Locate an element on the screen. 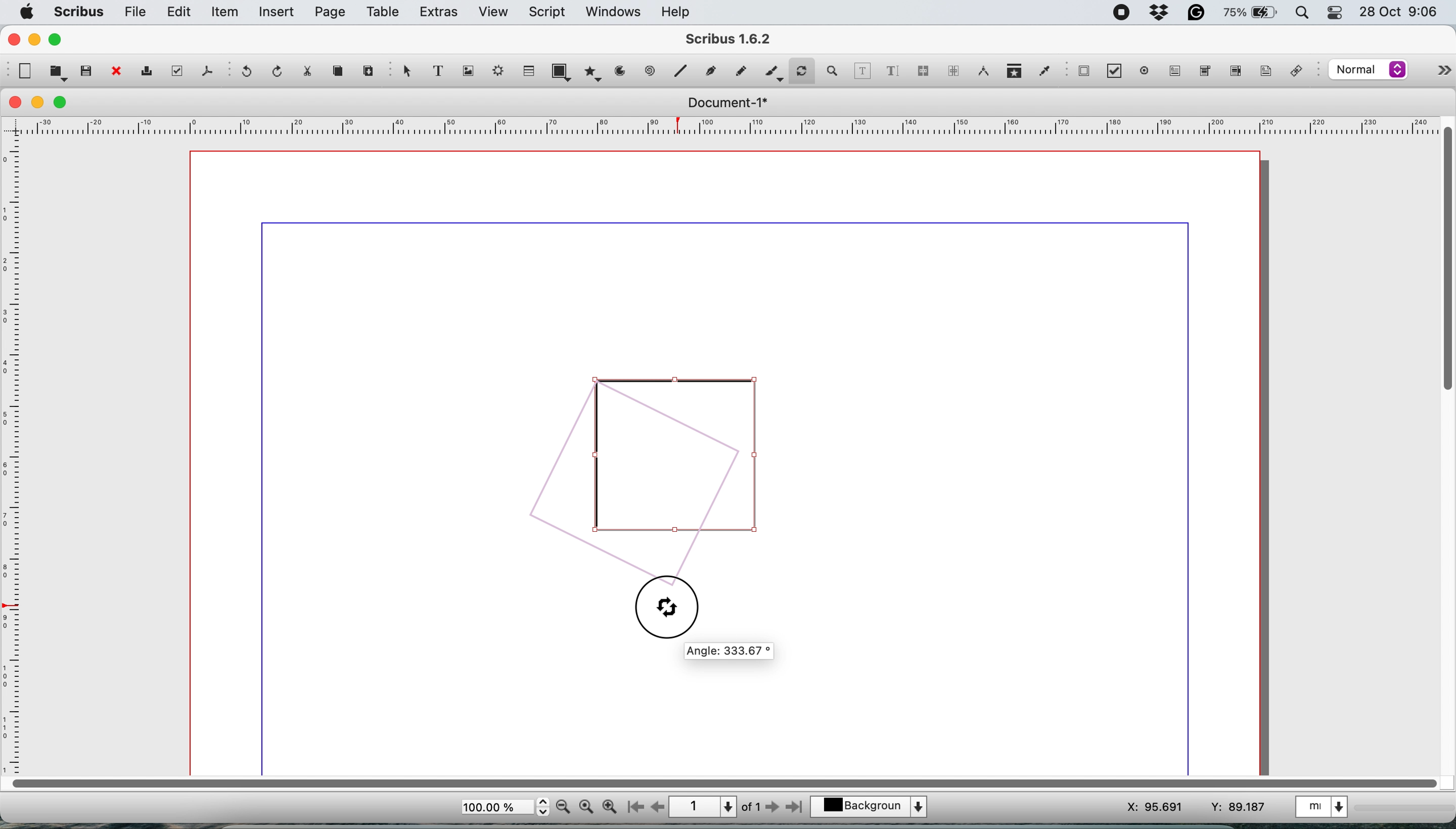 The width and height of the screenshot is (1456, 829). link text frame is located at coordinates (925, 71).